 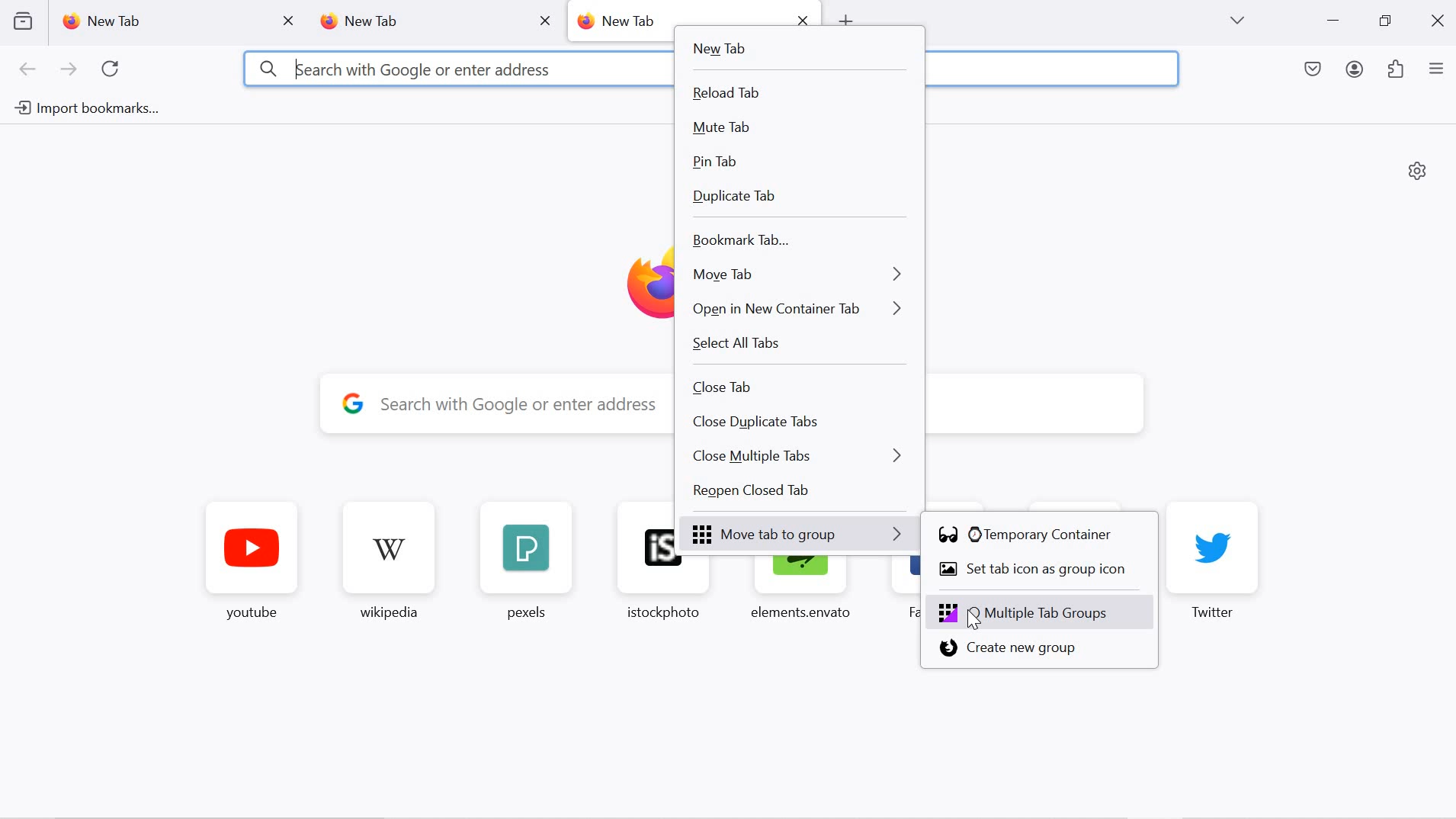 I want to click on Firefox logo, so click(x=643, y=283).